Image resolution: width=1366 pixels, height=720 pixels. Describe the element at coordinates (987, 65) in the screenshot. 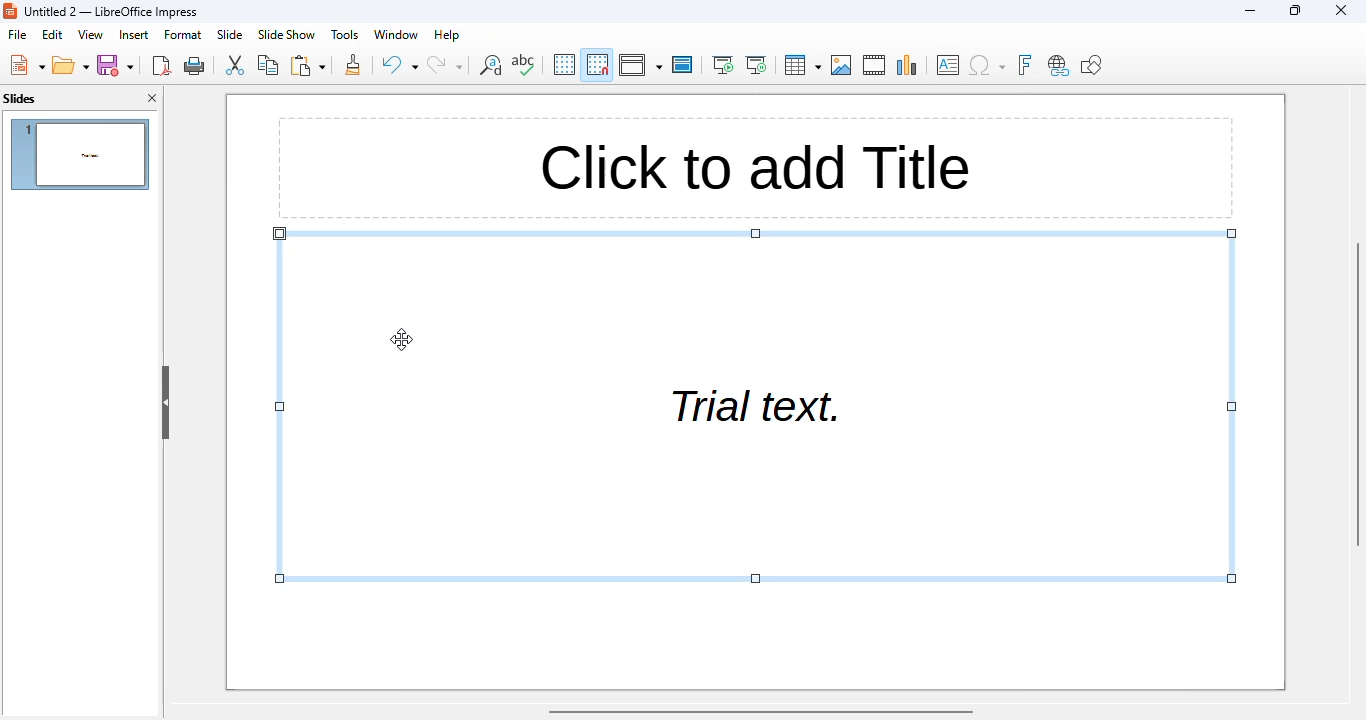

I see `insert special characters` at that location.